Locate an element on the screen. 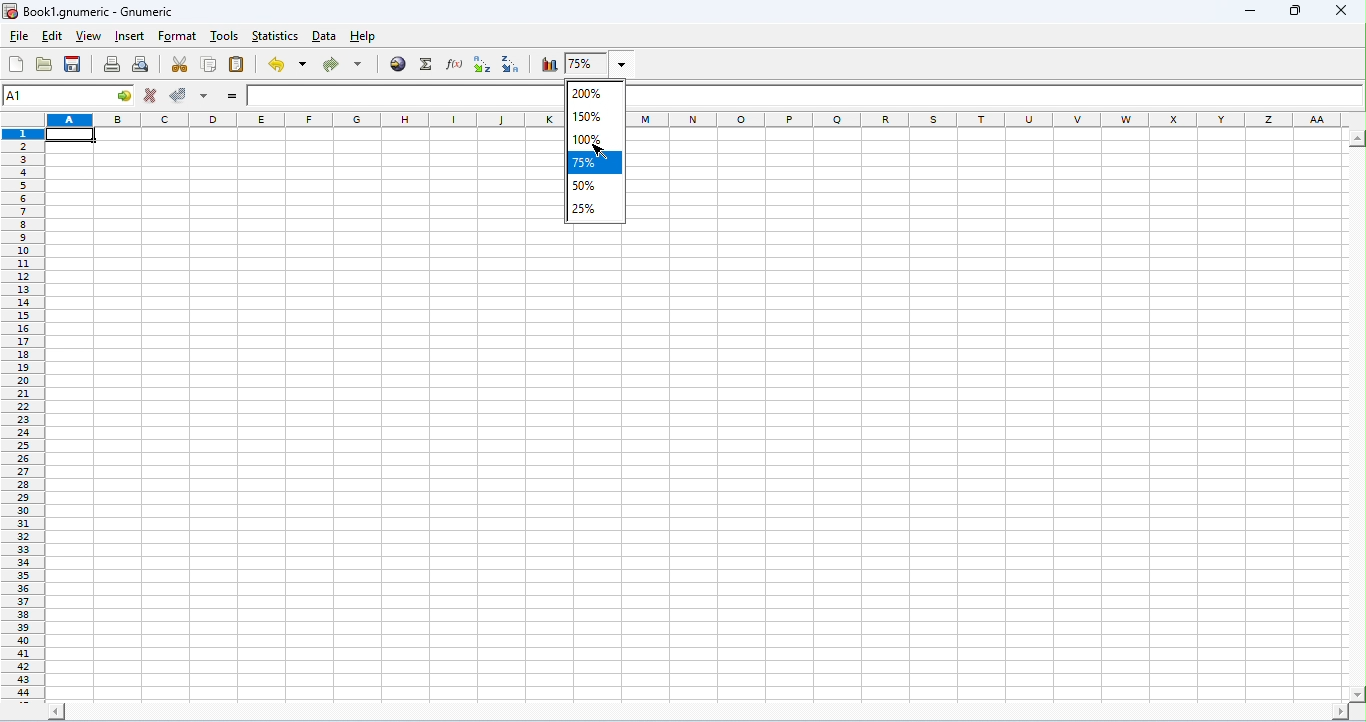  cut is located at coordinates (182, 64).